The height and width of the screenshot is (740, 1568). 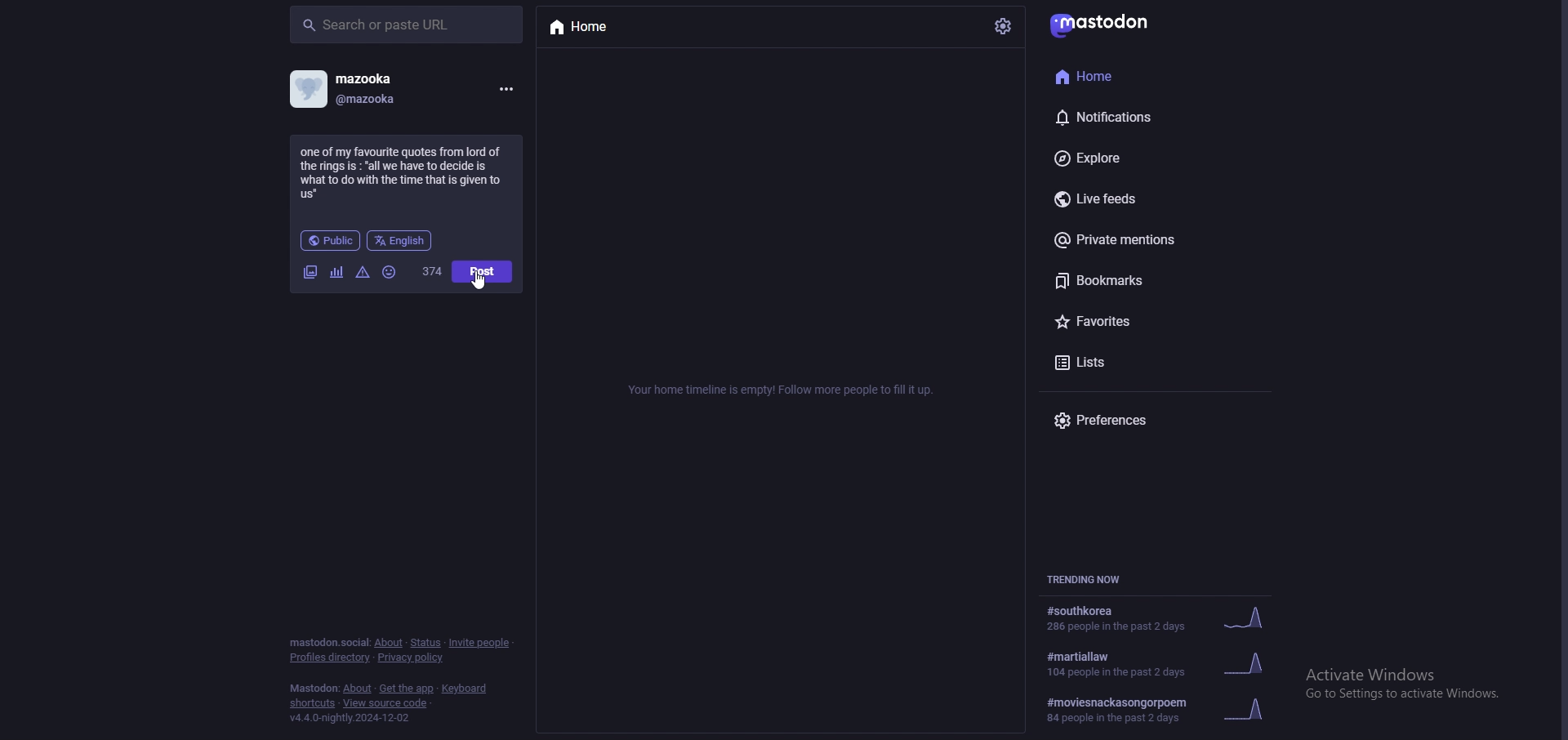 What do you see at coordinates (505, 89) in the screenshot?
I see `menu` at bounding box center [505, 89].